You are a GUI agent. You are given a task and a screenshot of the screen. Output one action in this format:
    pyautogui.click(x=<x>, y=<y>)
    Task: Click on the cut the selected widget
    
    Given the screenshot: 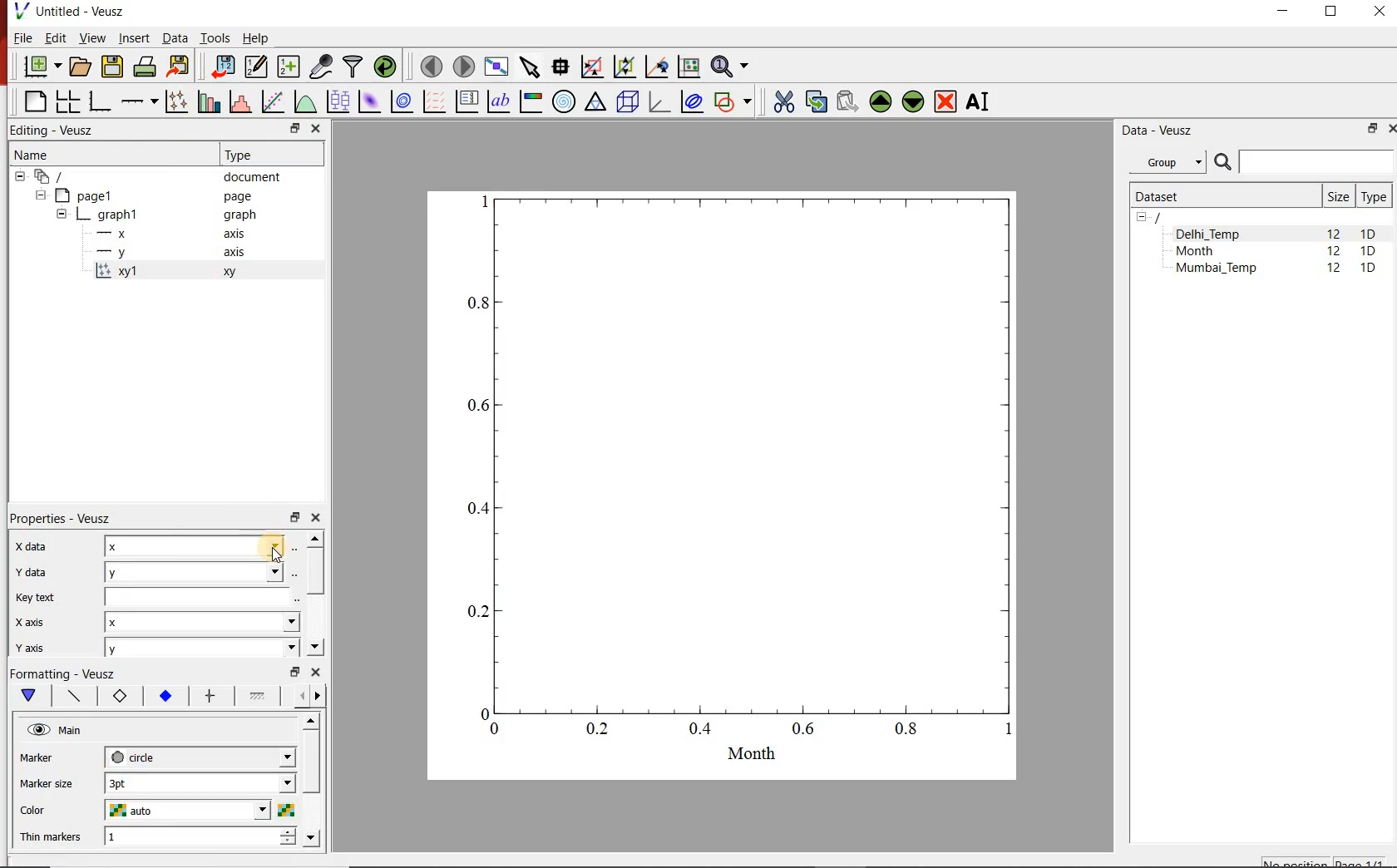 What is the action you would take?
    pyautogui.click(x=783, y=101)
    